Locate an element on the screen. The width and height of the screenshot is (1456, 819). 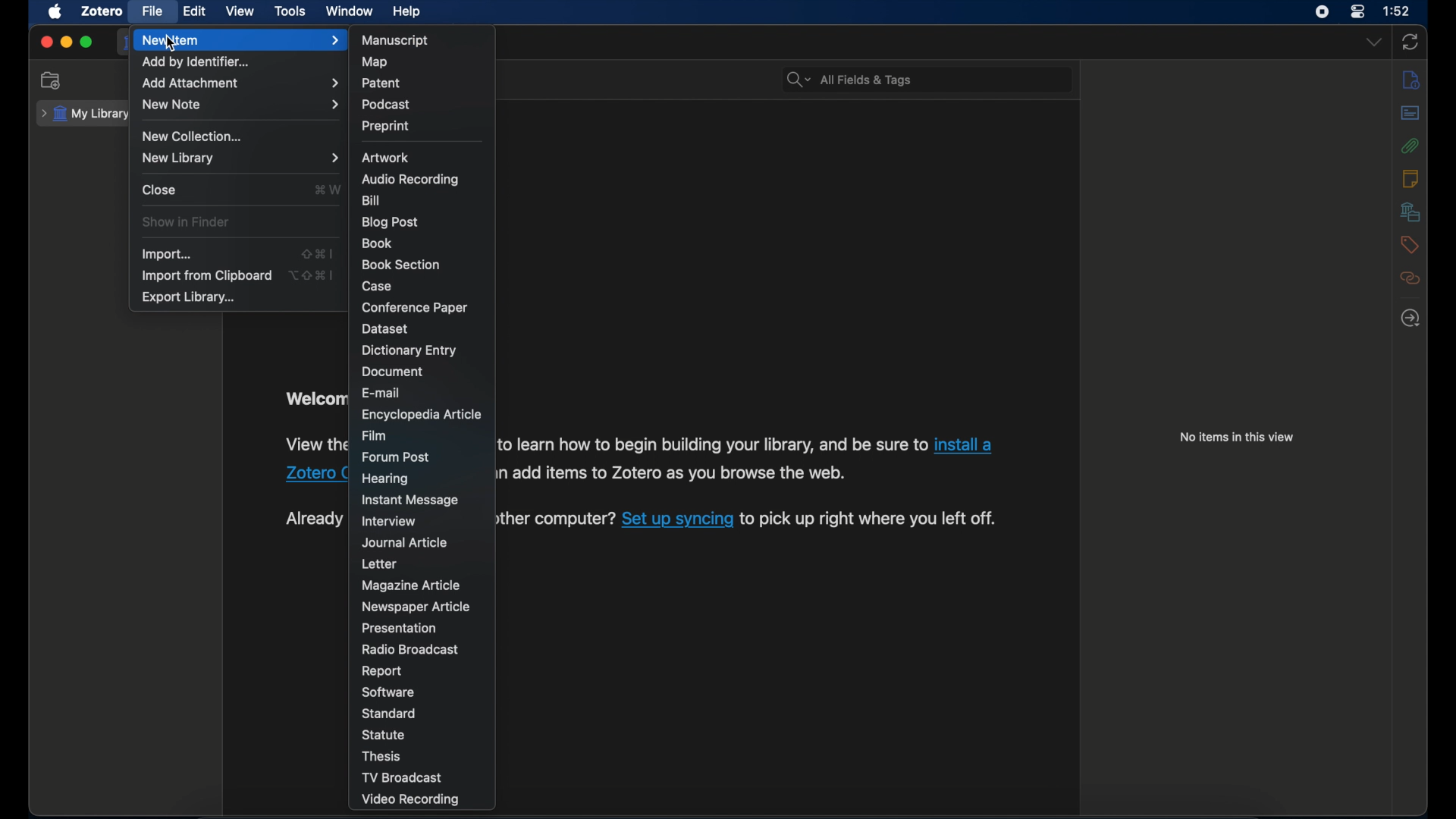
install a is located at coordinates (965, 444).